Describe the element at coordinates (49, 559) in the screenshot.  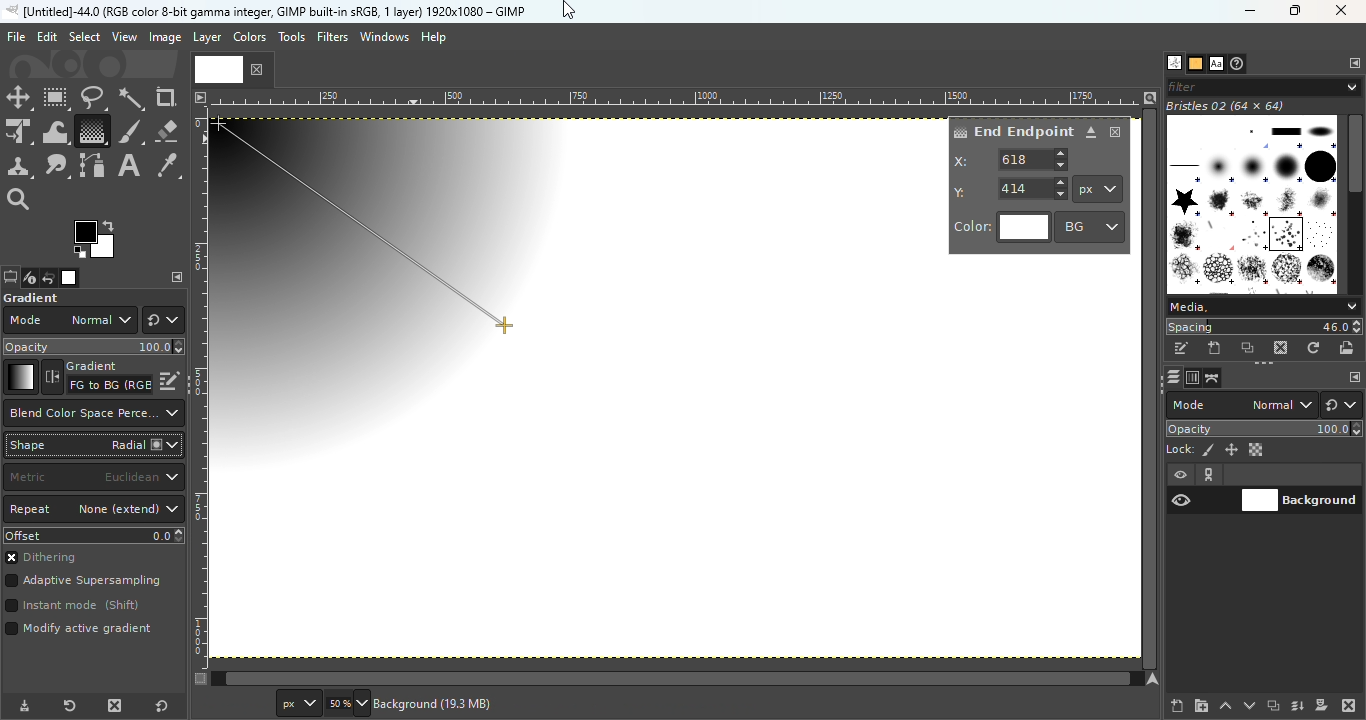
I see `Dithering` at that location.